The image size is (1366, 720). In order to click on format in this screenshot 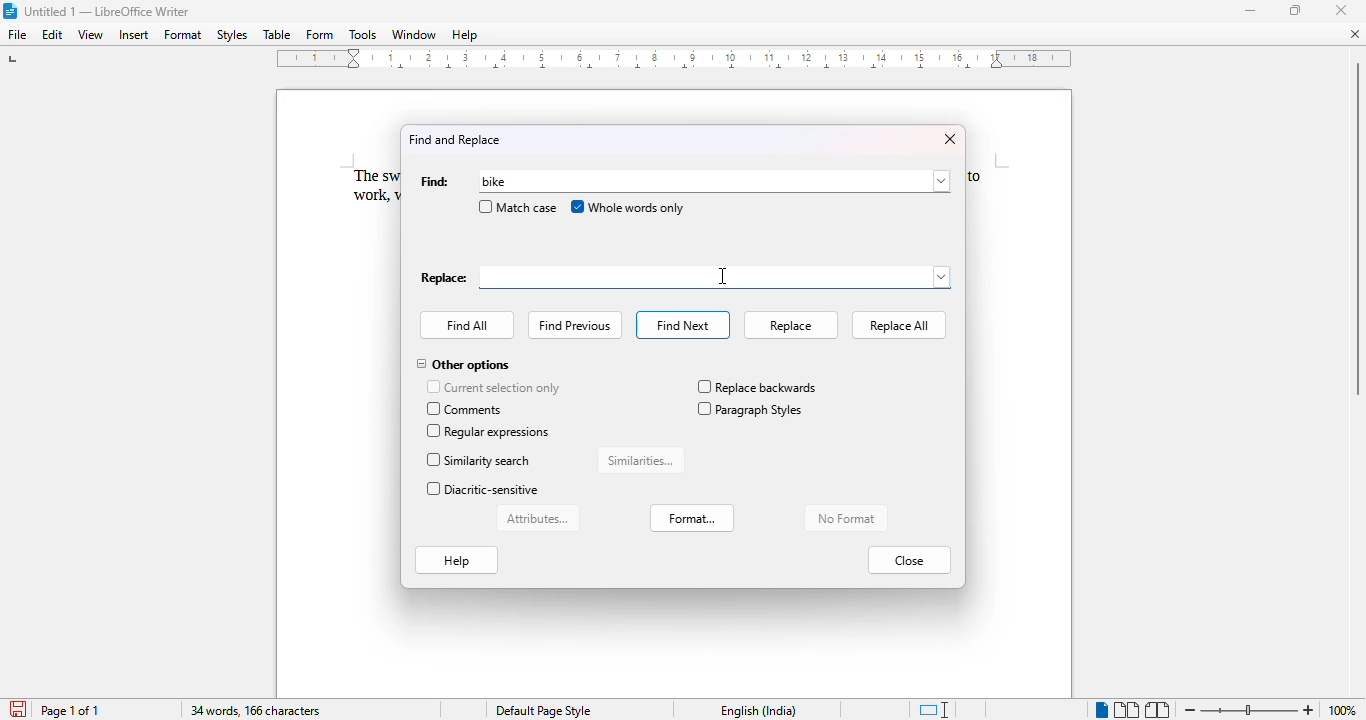, I will do `click(692, 517)`.